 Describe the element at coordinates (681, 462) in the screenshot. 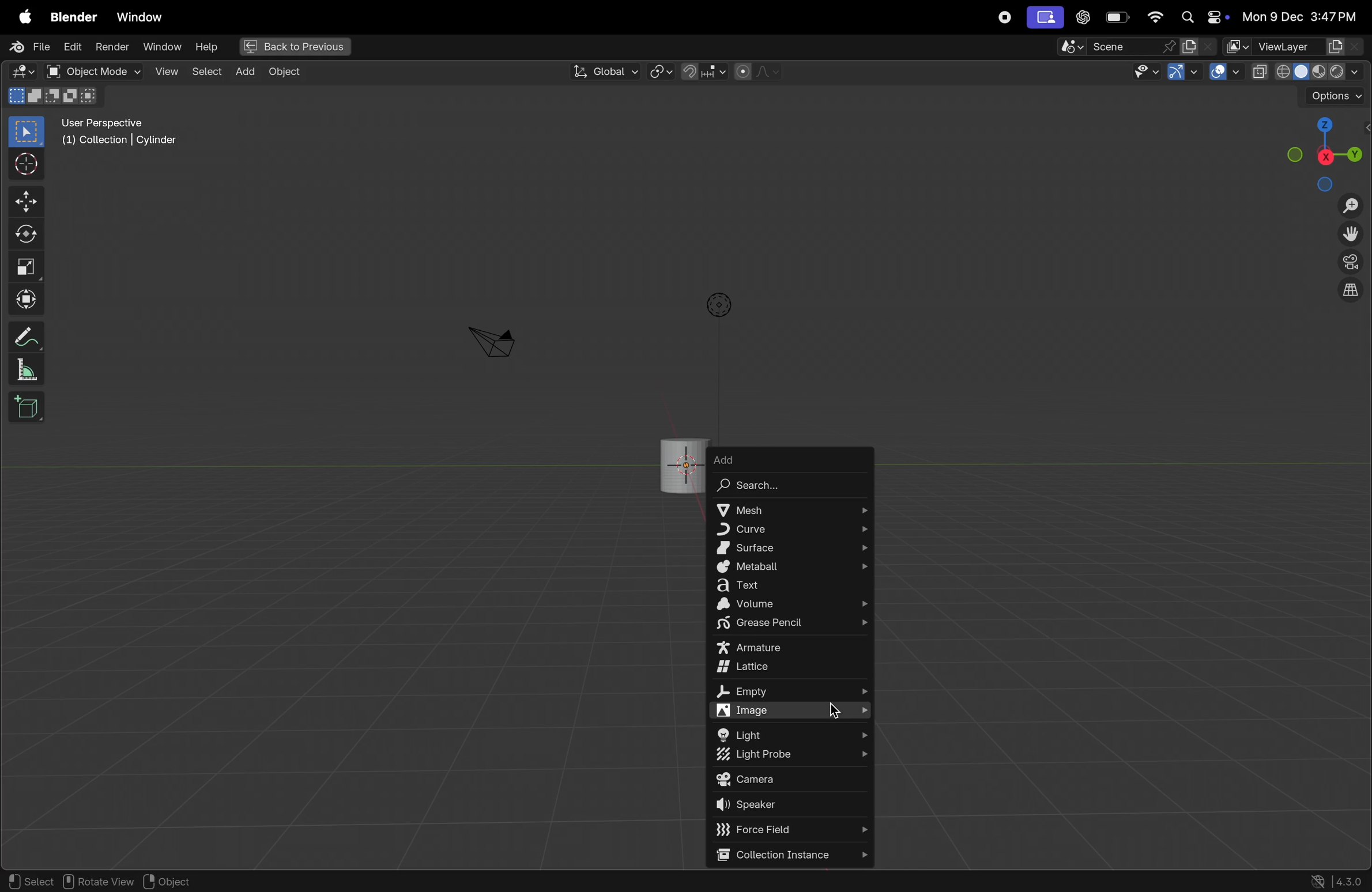

I see `cylinder` at that location.